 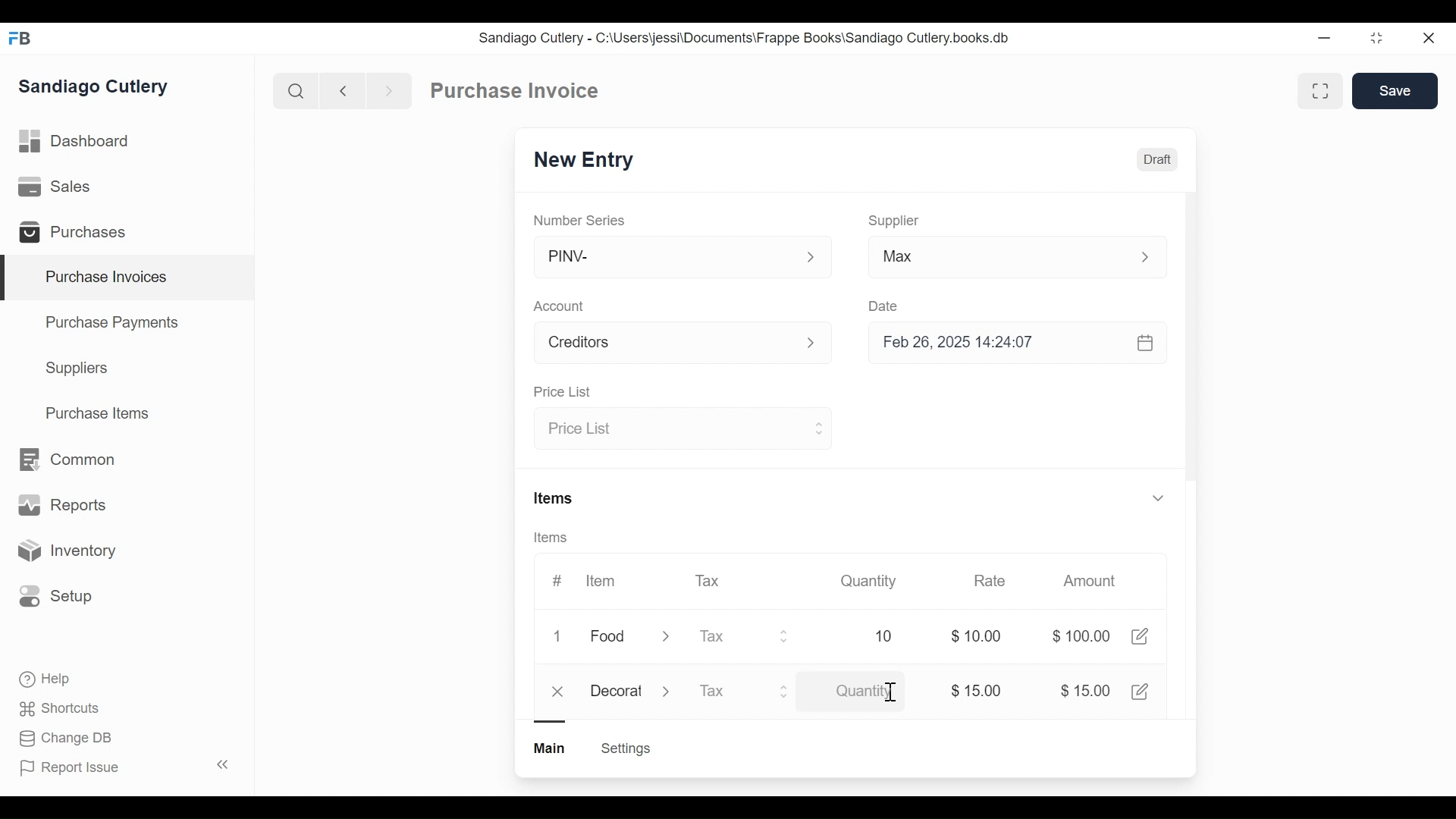 I want to click on Vertical Scroll bar, so click(x=1191, y=358).